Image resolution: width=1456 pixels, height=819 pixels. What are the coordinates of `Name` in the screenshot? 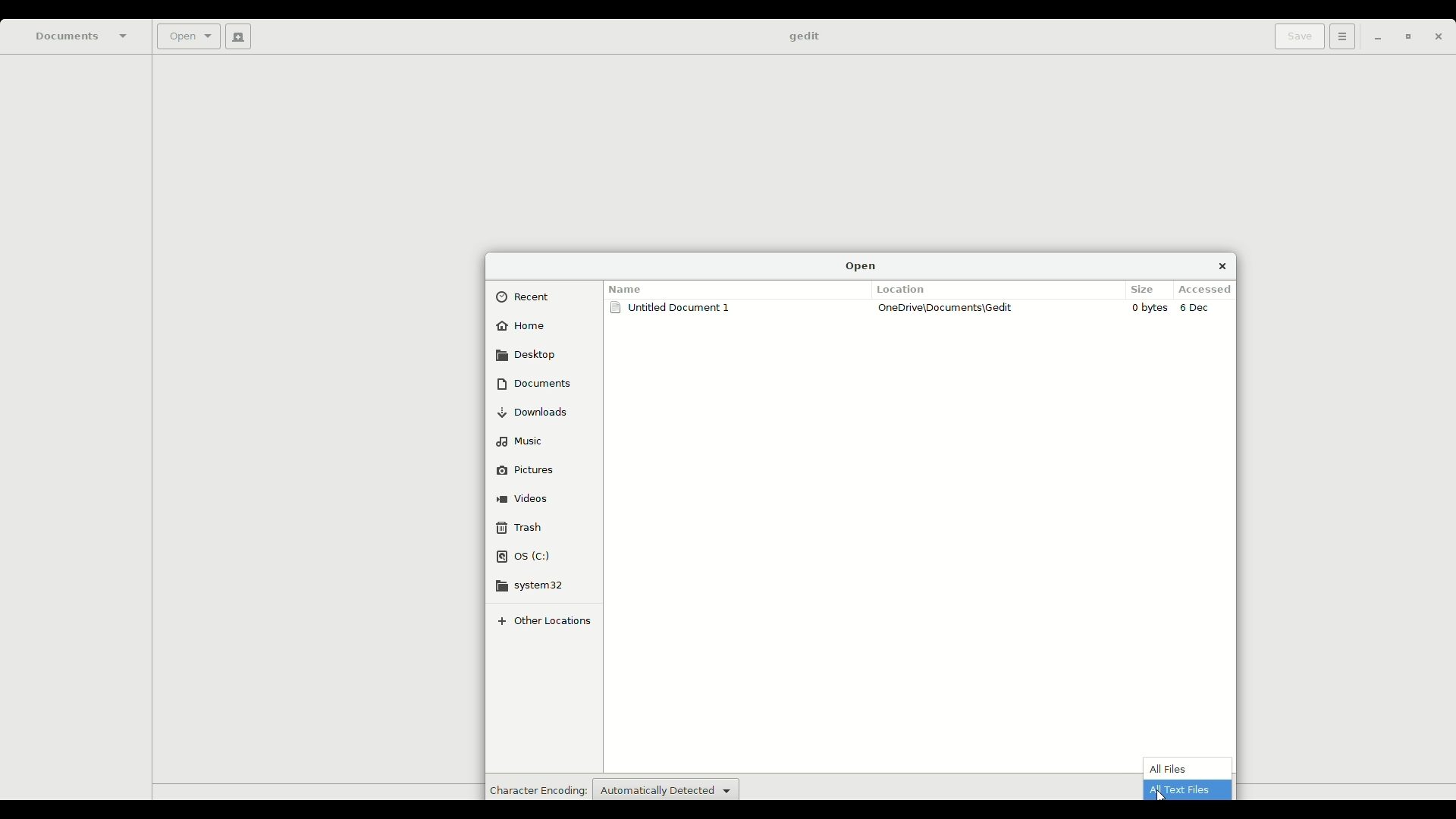 It's located at (628, 286).